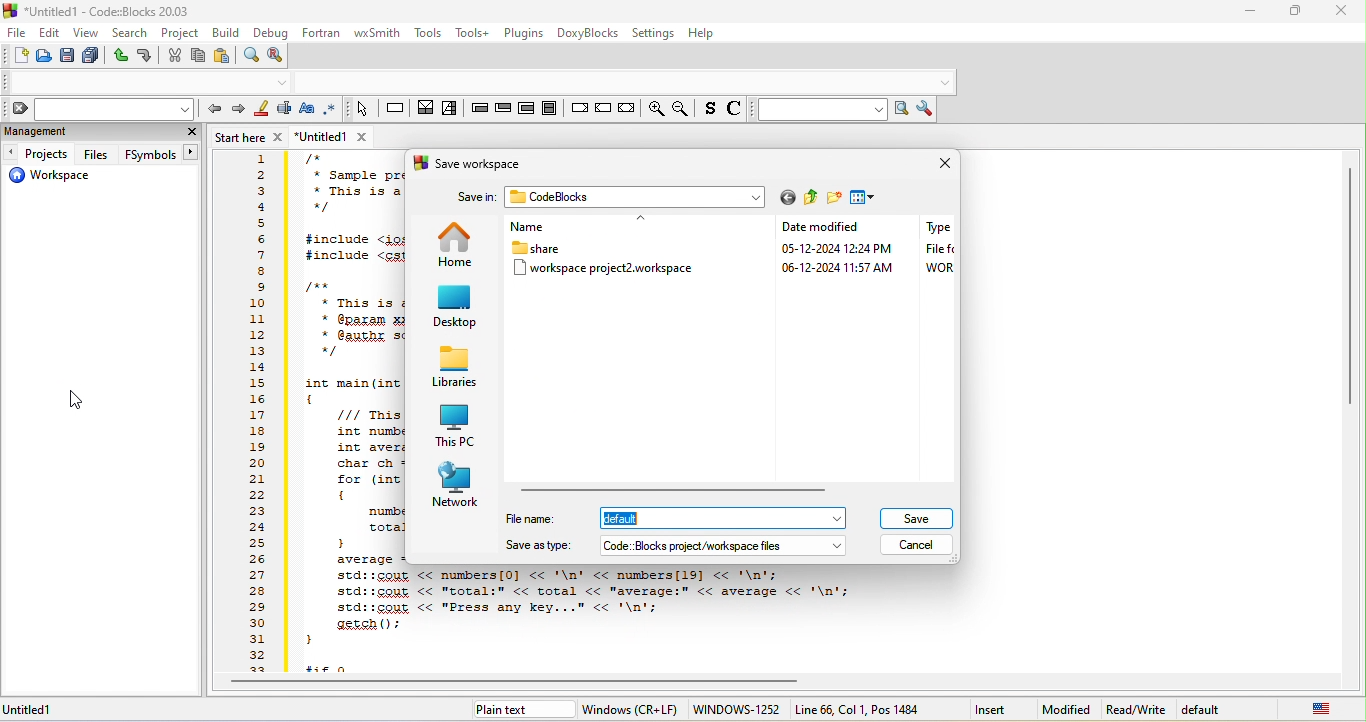 The height and width of the screenshot is (722, 1366). Describe the element at coordinates (279, 57) in the screenshot. I see `replace` at that location.